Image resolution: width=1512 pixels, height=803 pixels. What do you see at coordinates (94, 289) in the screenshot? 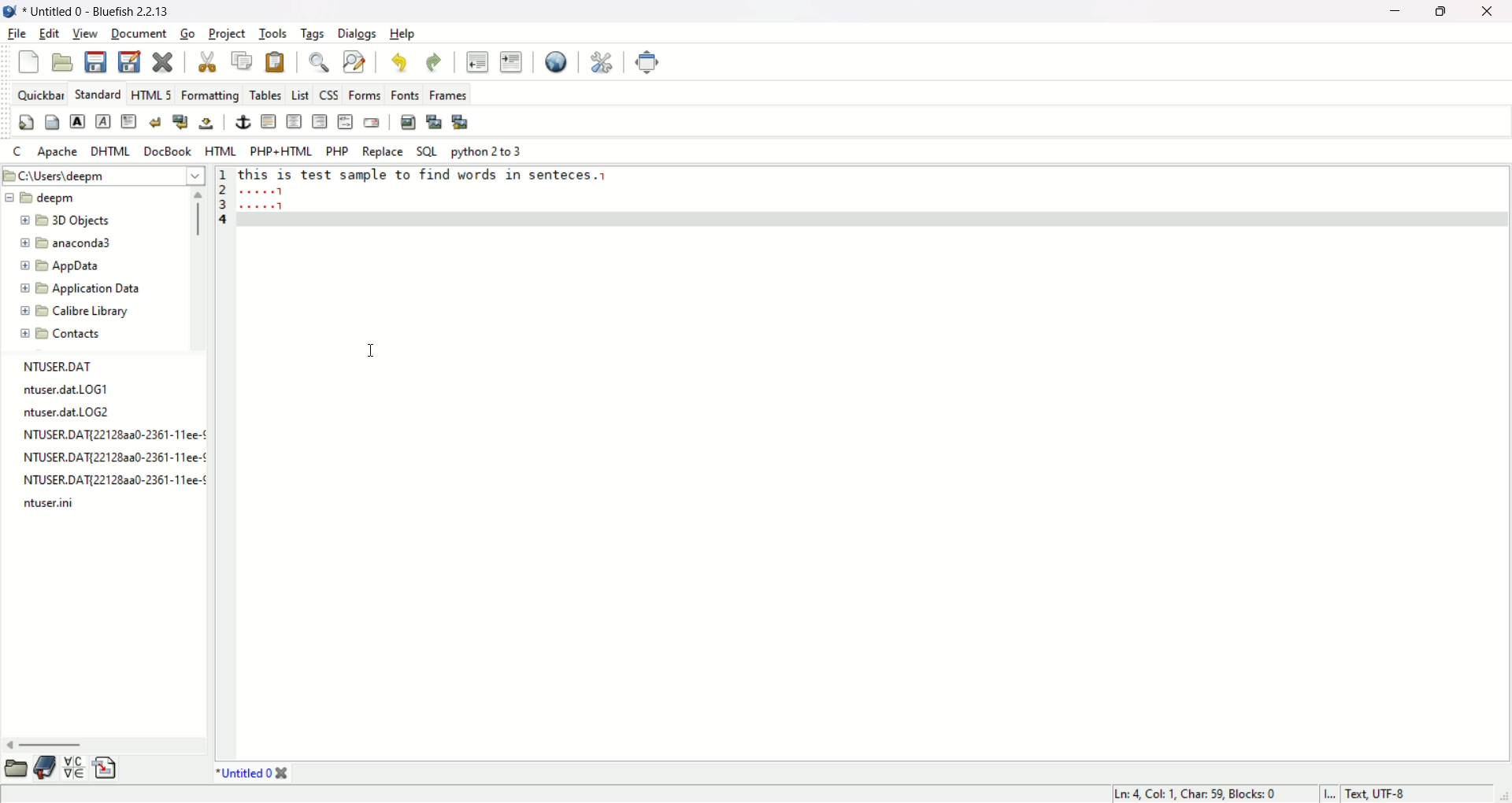
I see `Application Data` at bounding box center [94, 289].